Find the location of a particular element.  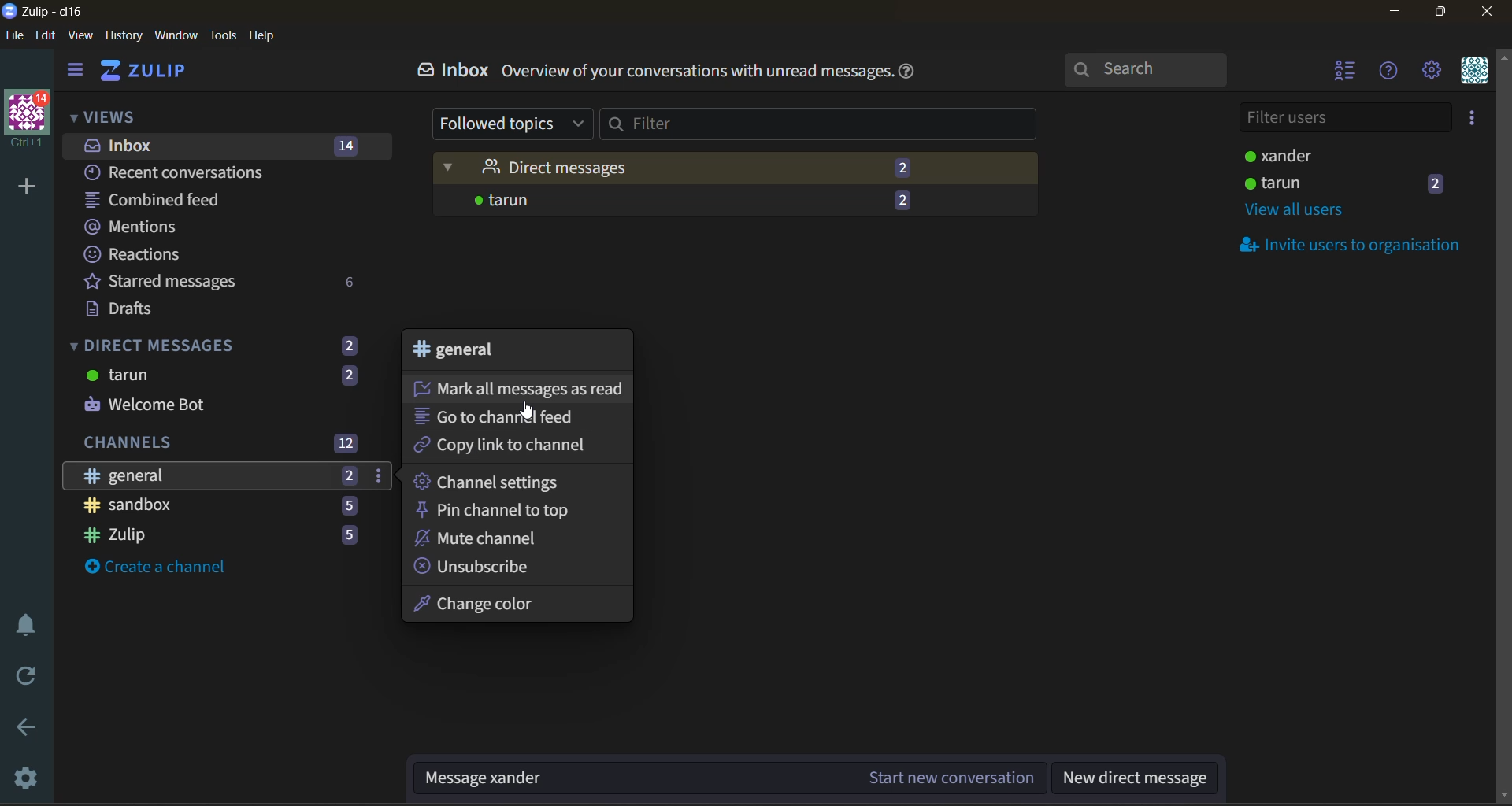

tools is located at coordinates (224, 37).